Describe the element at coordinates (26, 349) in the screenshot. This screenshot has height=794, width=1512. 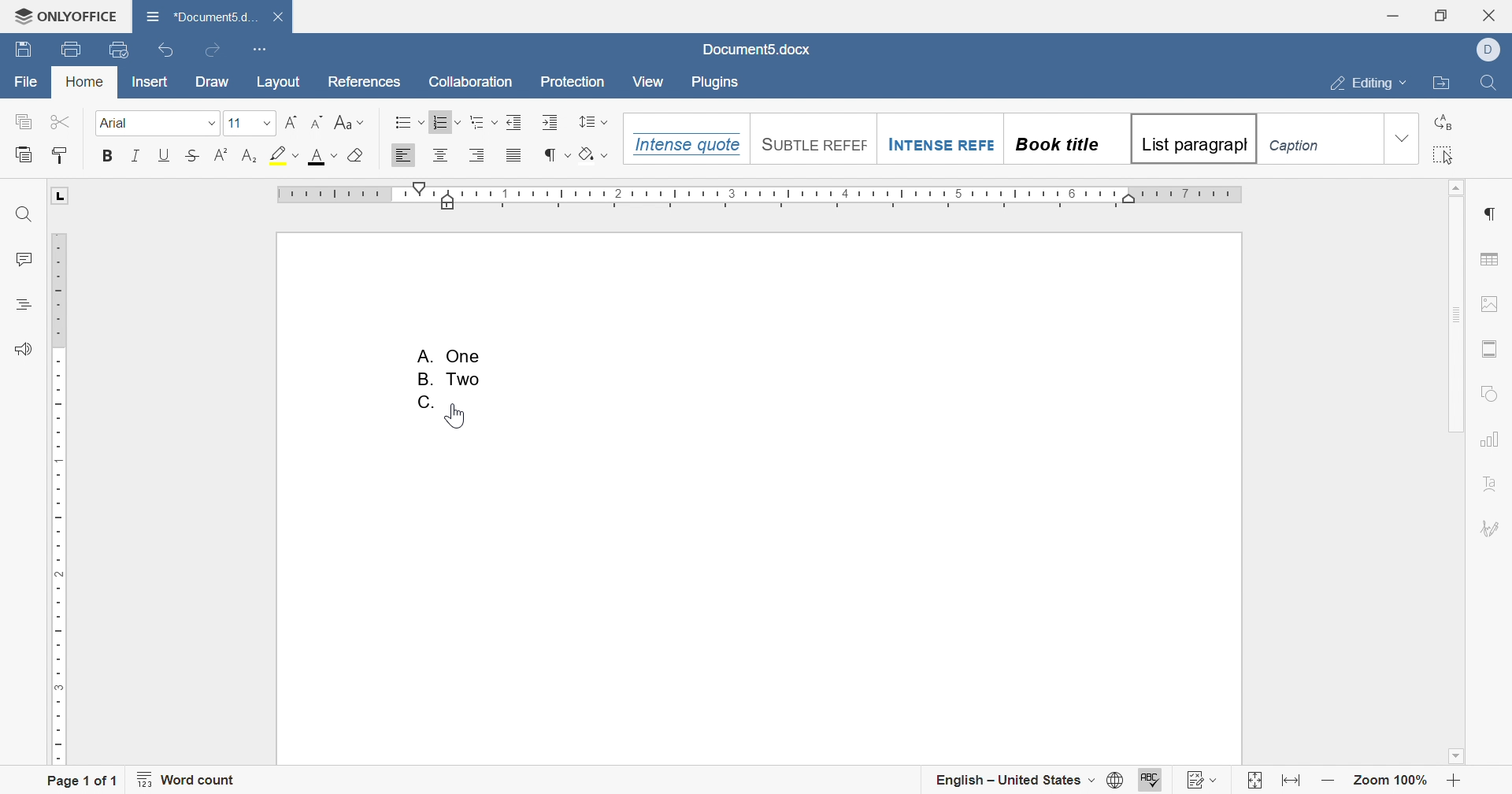
I see `feedback & support` at that location.